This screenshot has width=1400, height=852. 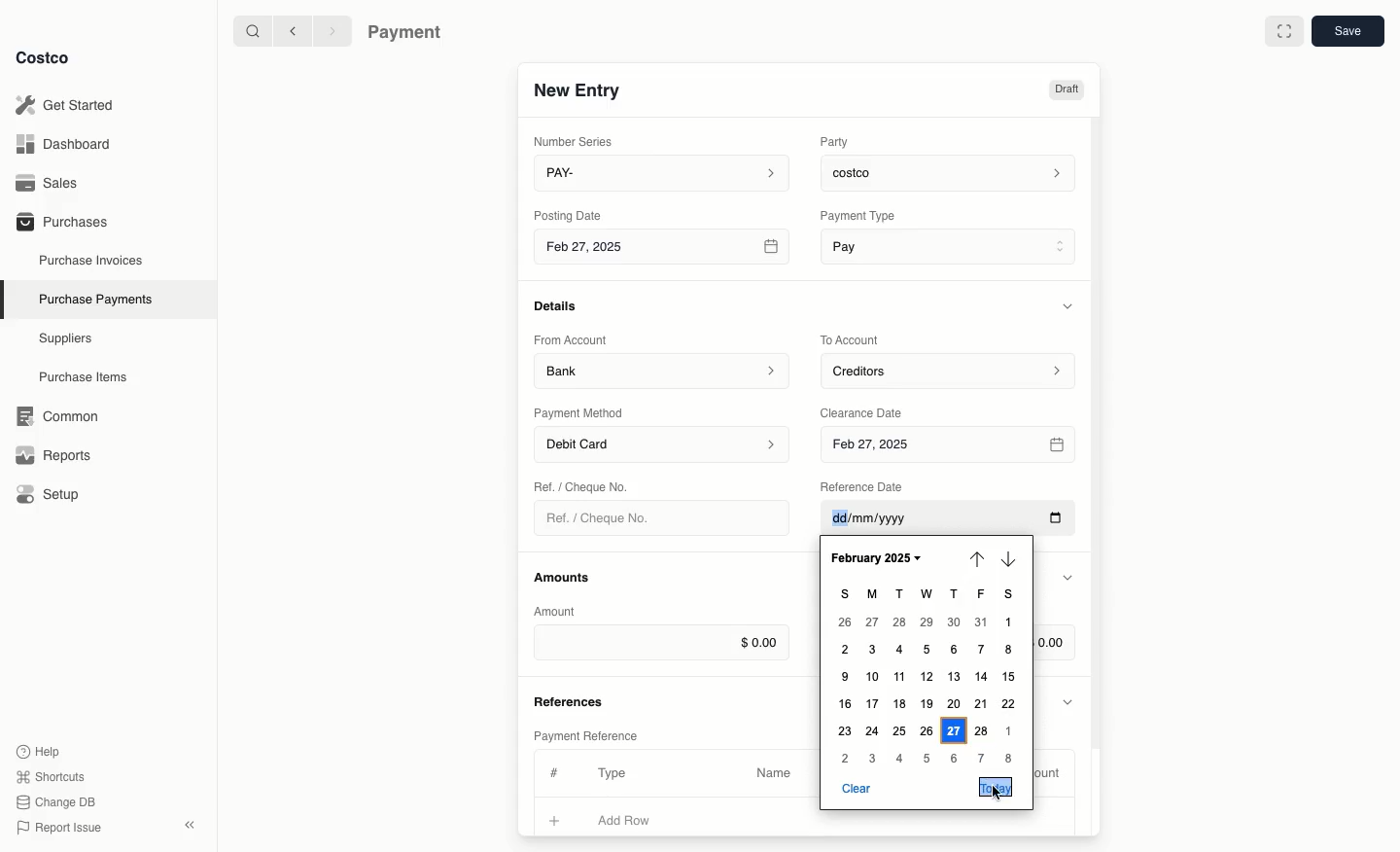 What do you see at coordinates (94, 298) in the screenshot?
I see `Purchase Payments` at bounding box center [94, 298].